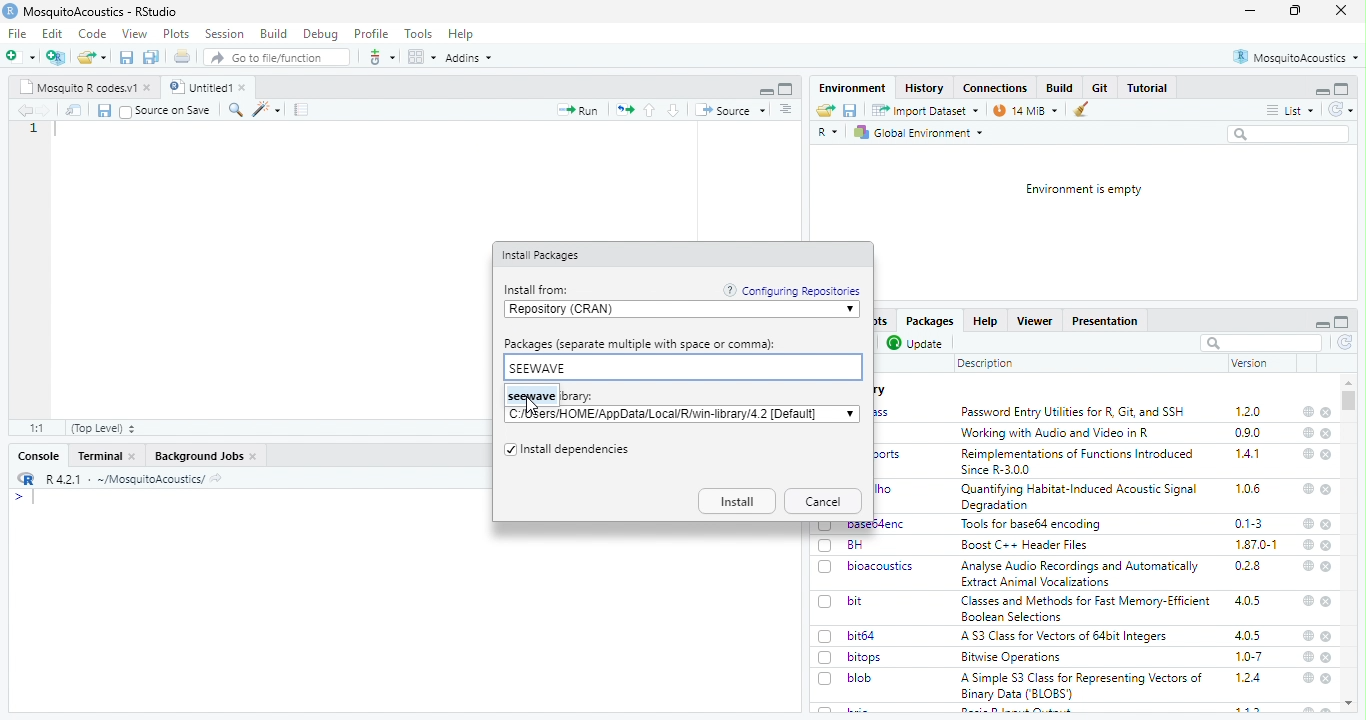 The image size is (1366, 720). Describe the element at coordinates (123, 479) in the screenshot. I see `R42.1 - ~/MosquitoAcoustics/` at that location.